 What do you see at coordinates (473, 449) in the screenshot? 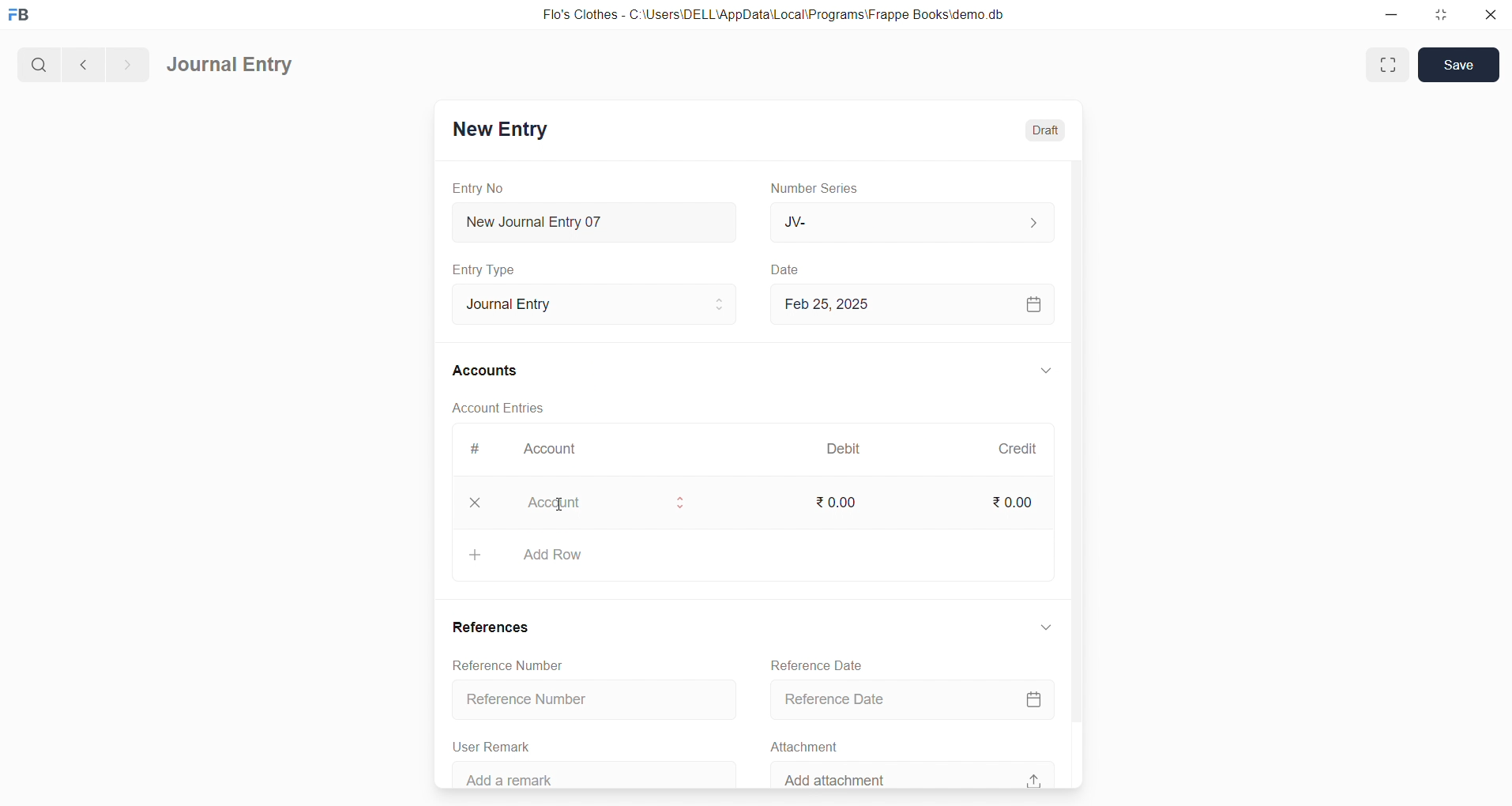
I see `#` at bounding box center [473, 449].